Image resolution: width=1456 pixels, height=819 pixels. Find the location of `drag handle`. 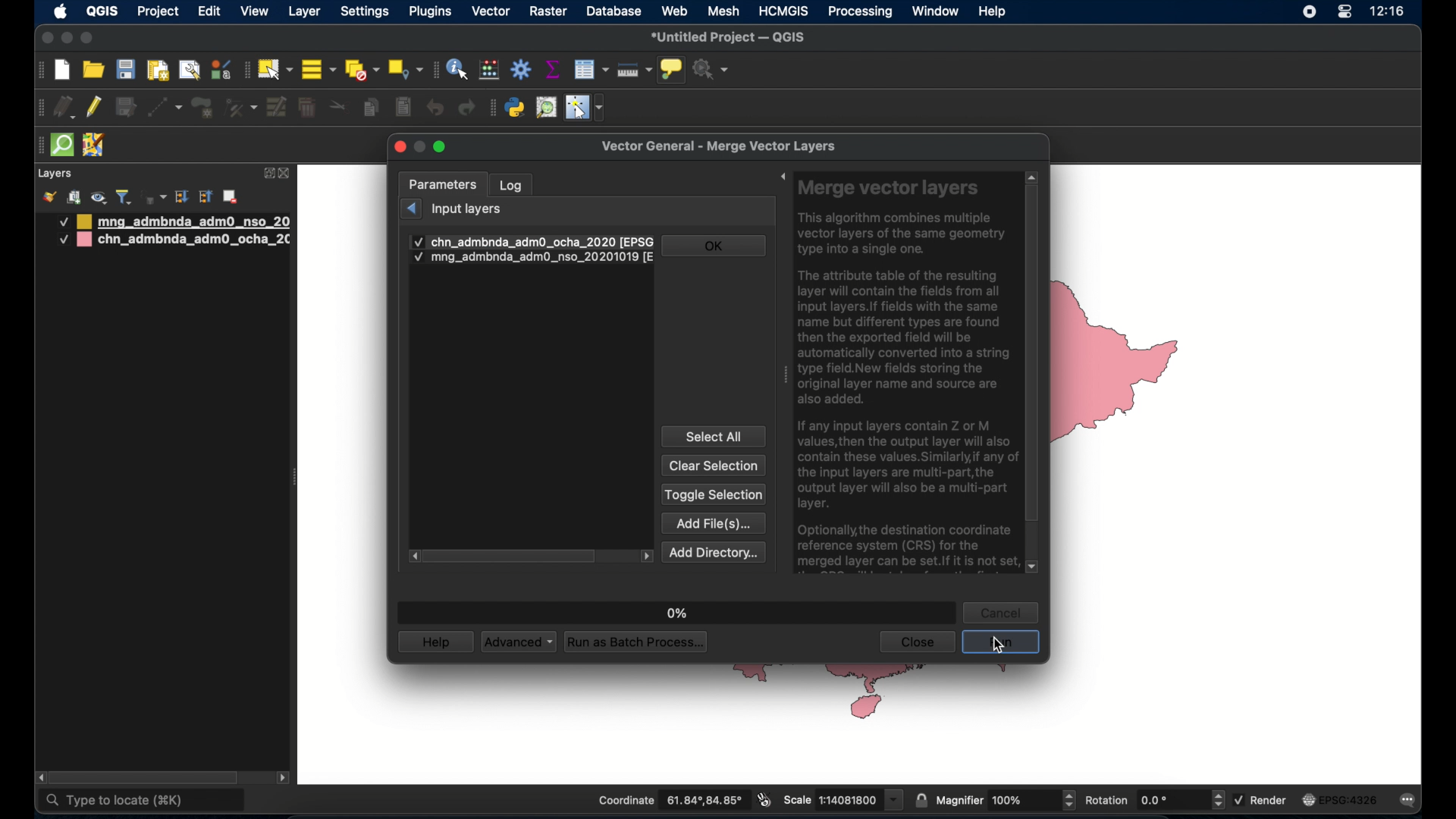

drag handle is located at coordinates (783, 378).